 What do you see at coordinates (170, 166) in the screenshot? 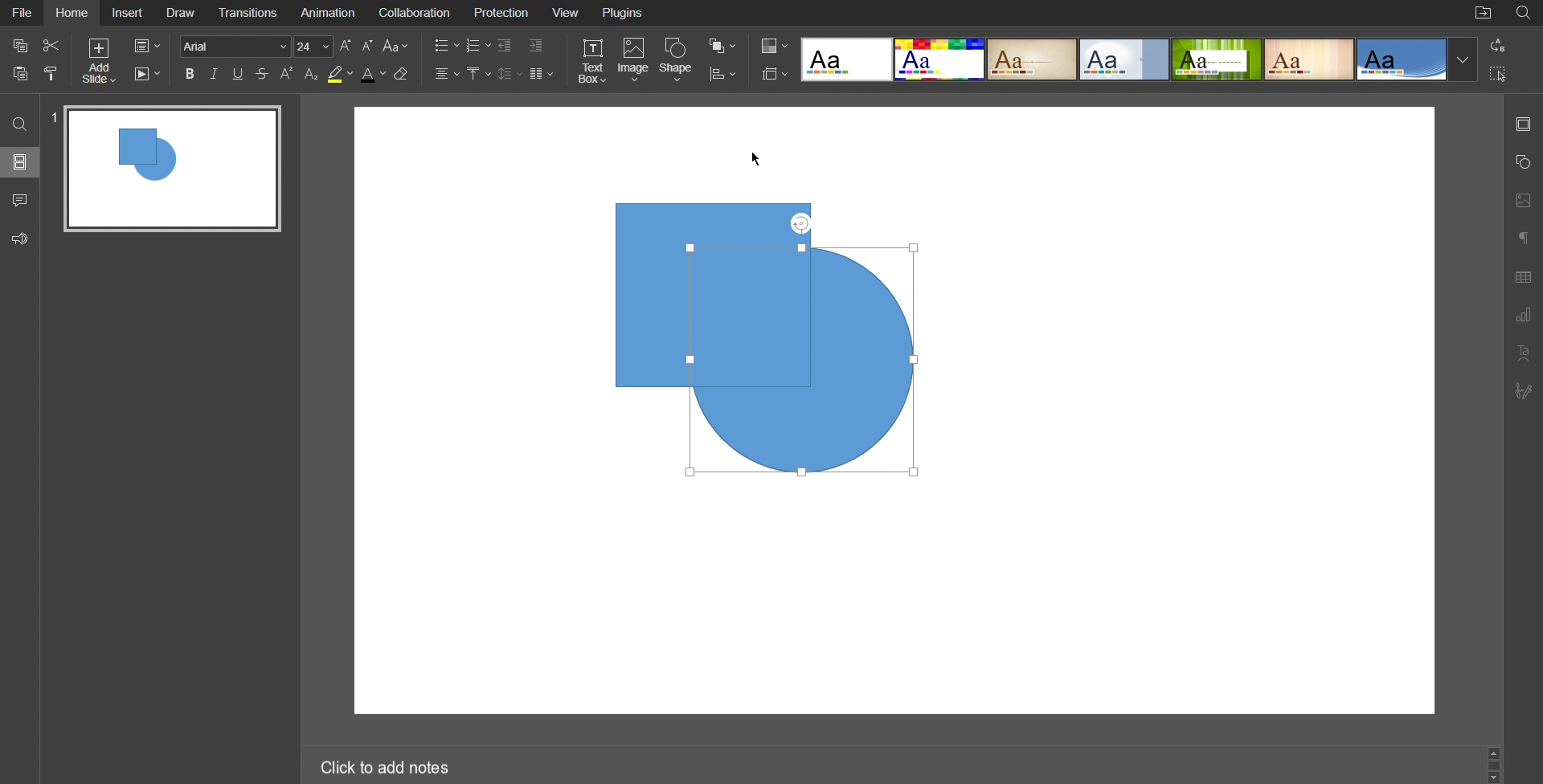
I see `Slide 1` at bounding box center [170, 166].